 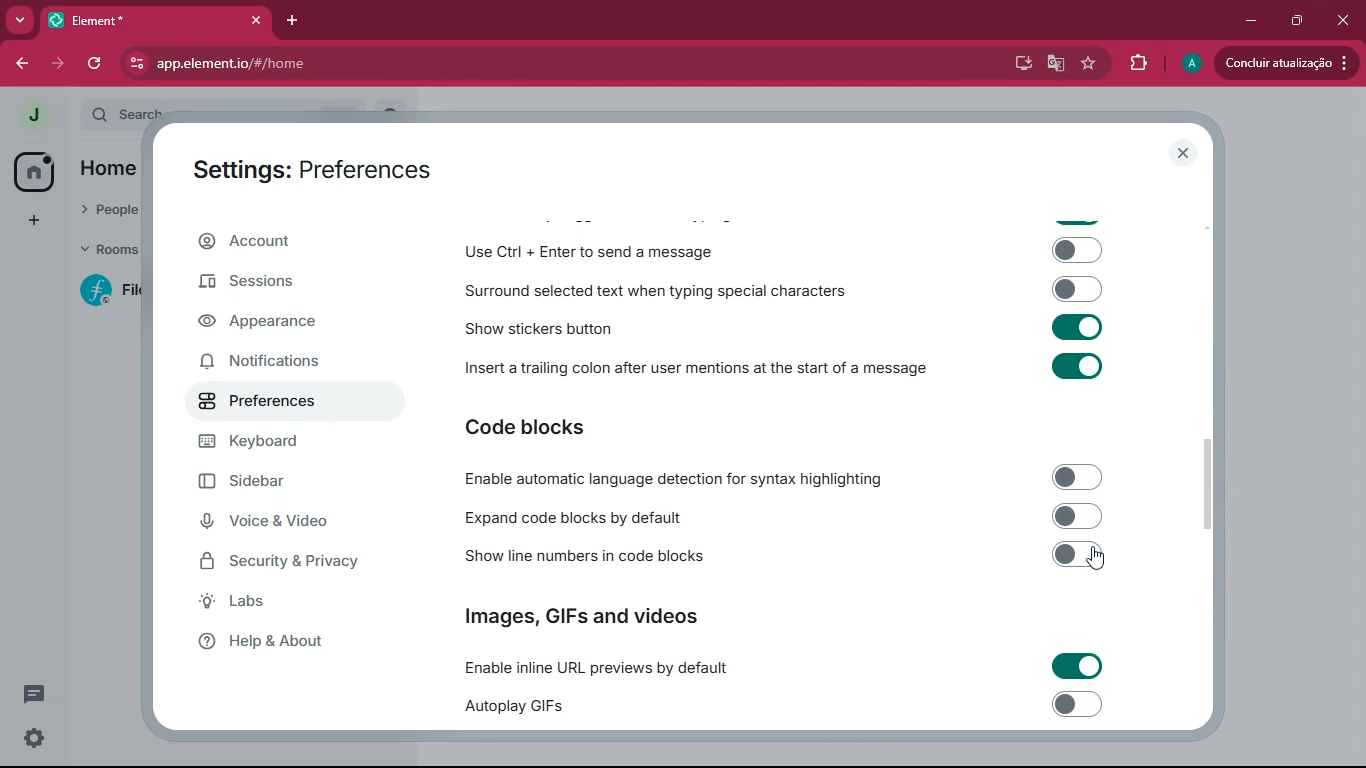 I want to click on settings: preferences, so click(x=310, y=166).